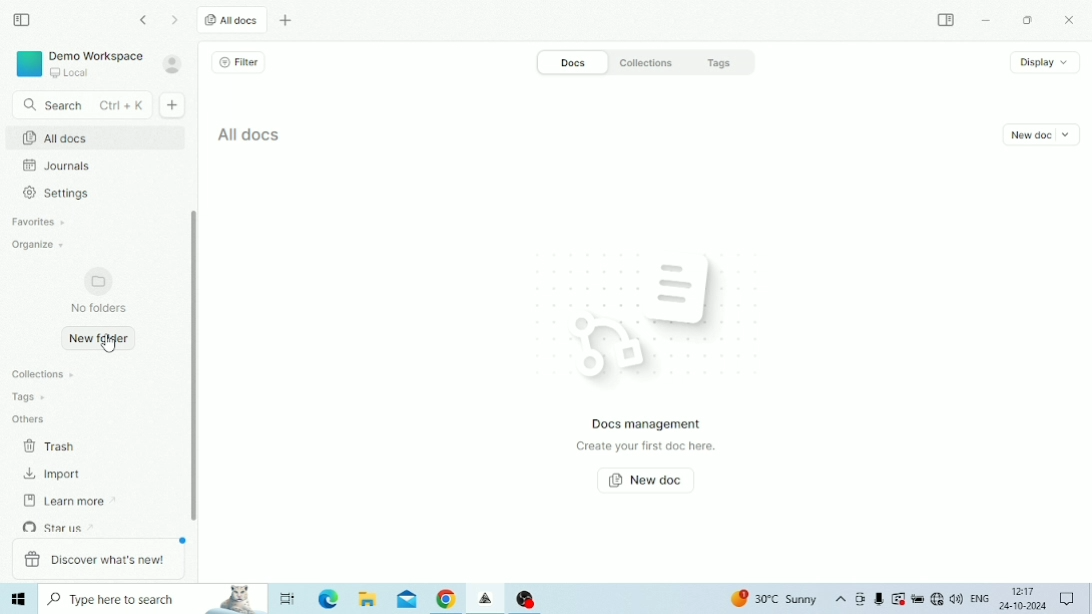 This screenshot has width=1092, height=614. Describe the element at coordinates (652, 61) in the screenshot. I see `Collections` at that location.